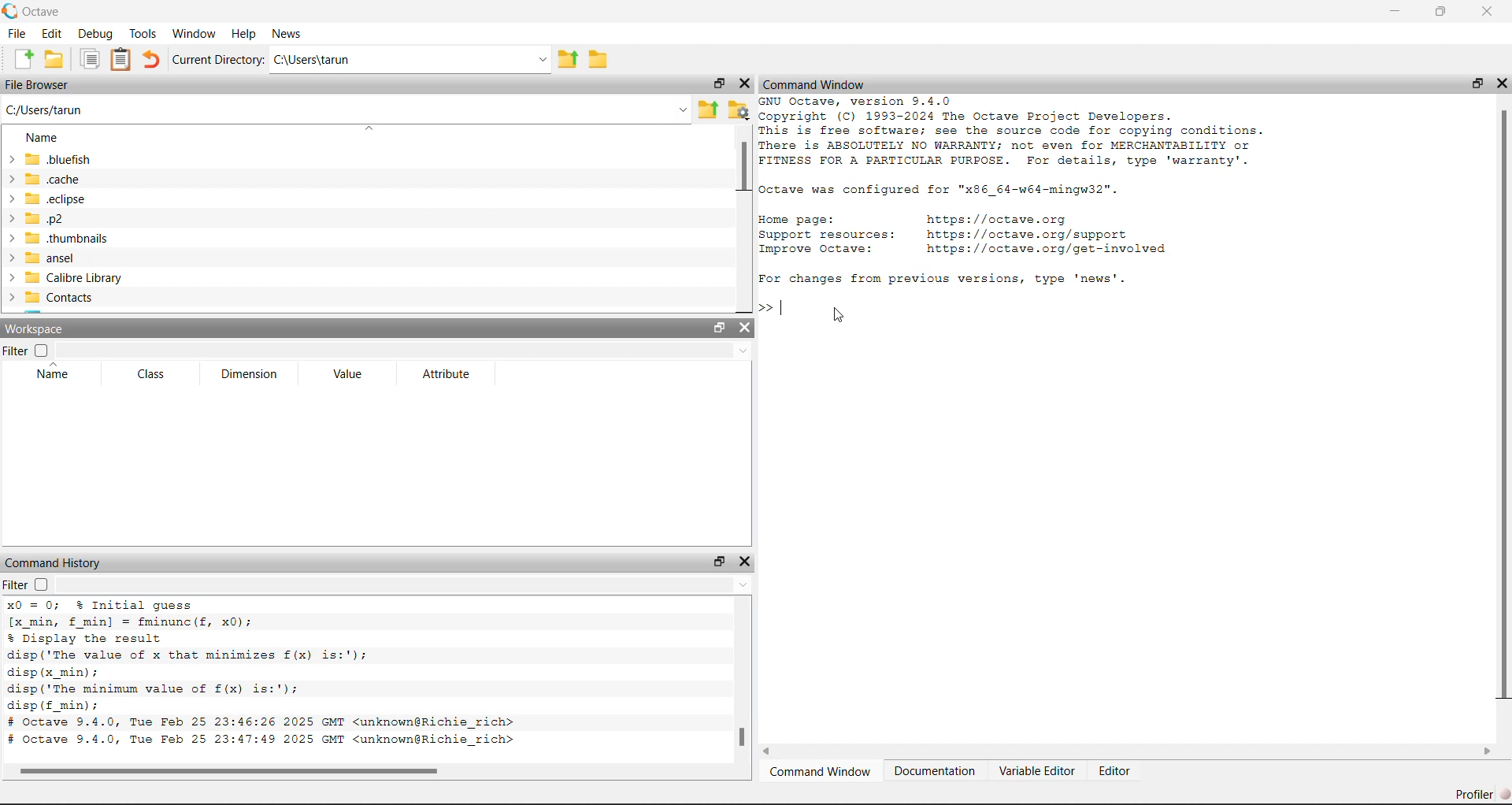 This screenshot has height=805, width=1512. Describe the element at coordinates (49, 109) in the screenshot. I see `C:/Users/tarun` at that location.